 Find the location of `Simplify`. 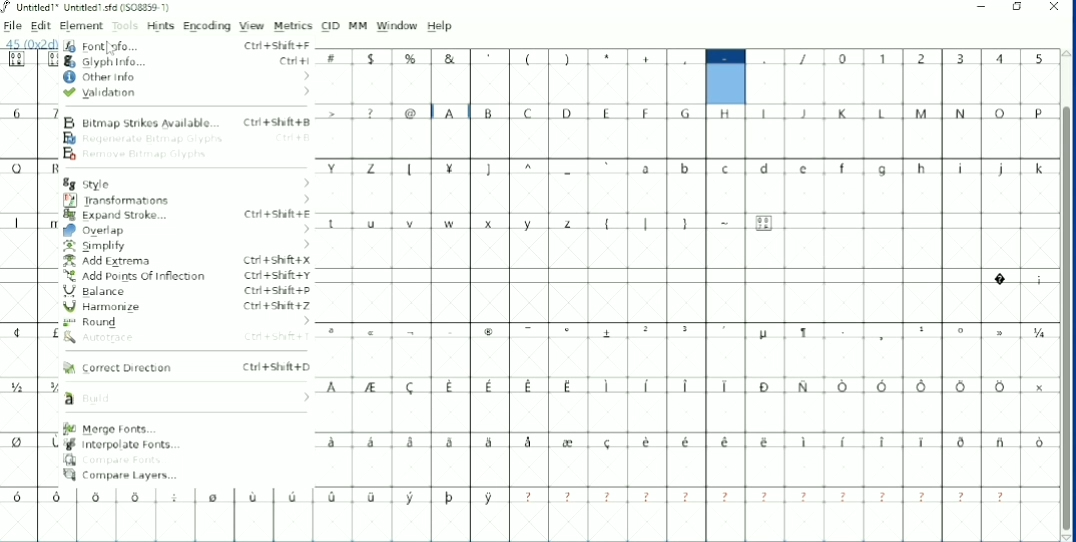

Simplify is located at coordinates (187, 246).